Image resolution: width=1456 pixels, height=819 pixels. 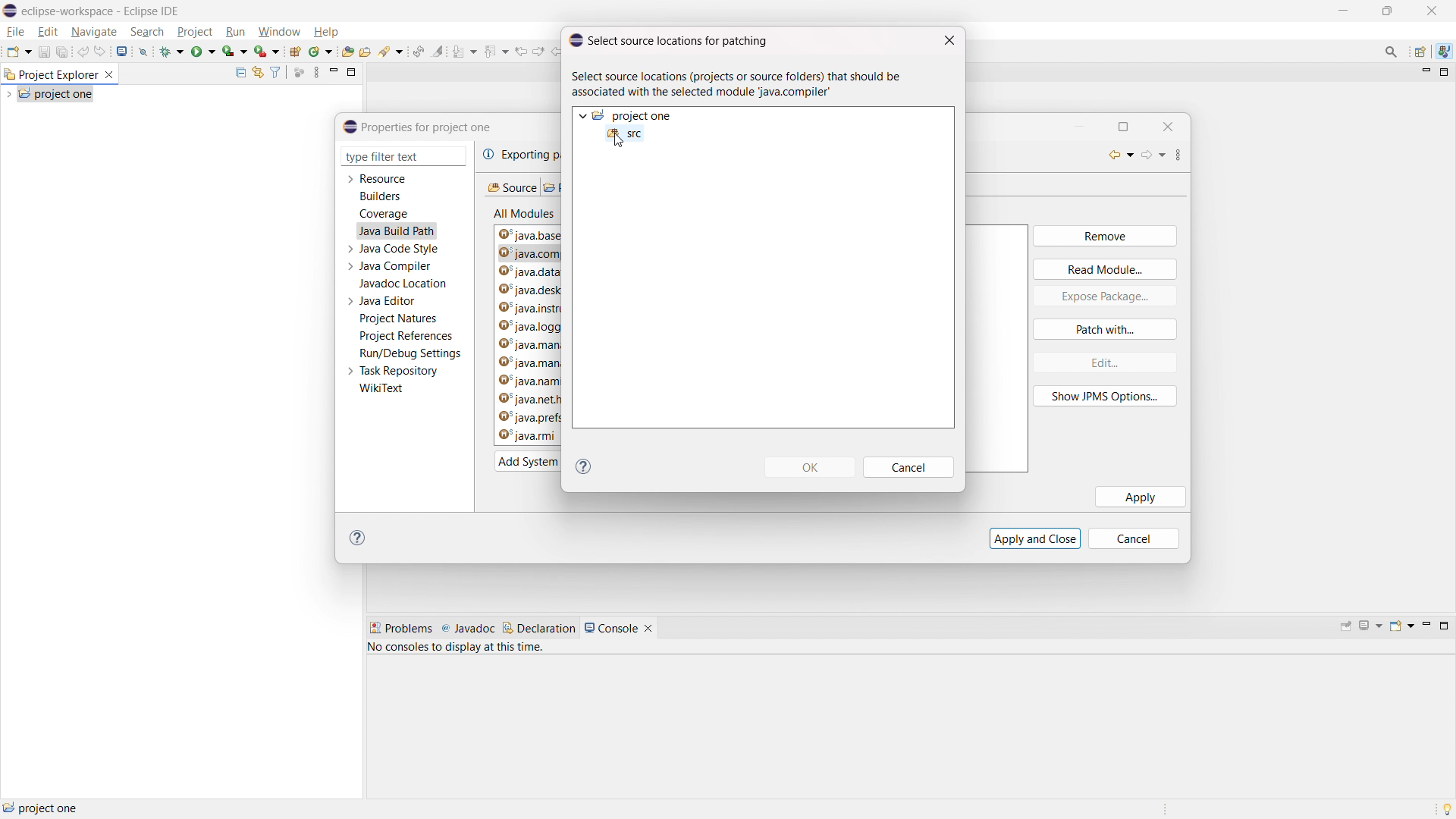 I want to click on edit, so click(x=48, y=33).